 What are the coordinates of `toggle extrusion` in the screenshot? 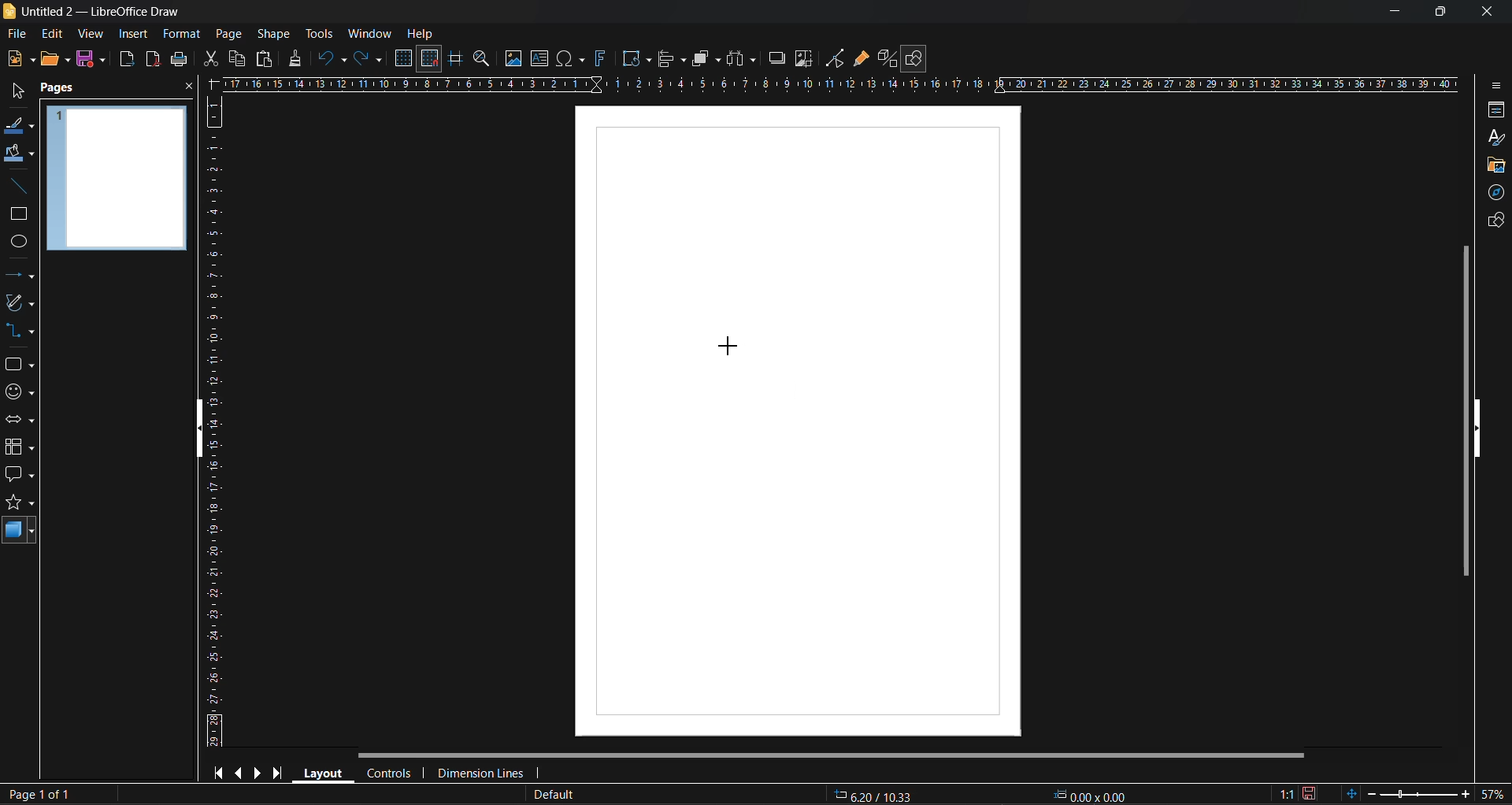 It's located at (886, 58).